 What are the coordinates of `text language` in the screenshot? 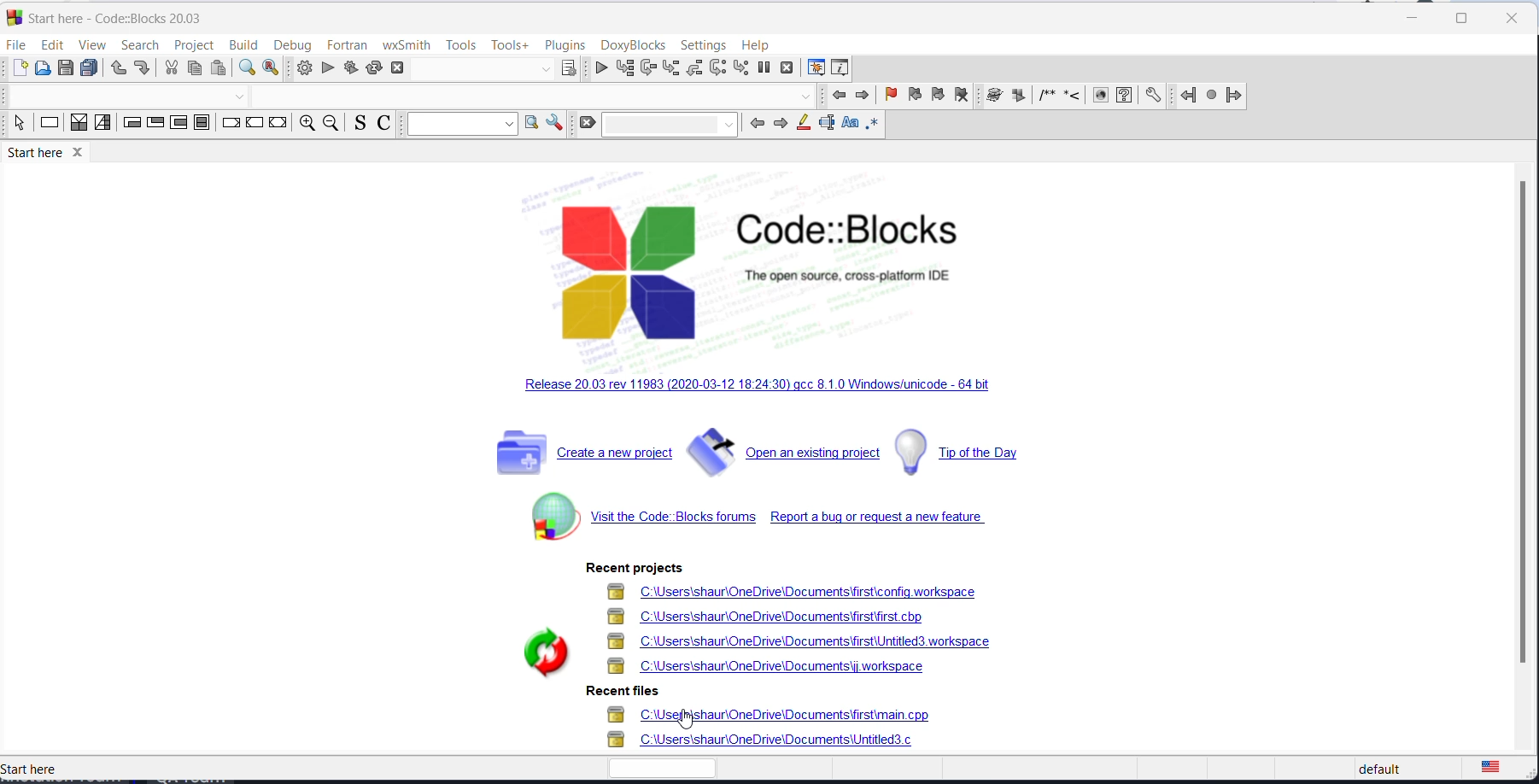 It's located at (1501, 769).